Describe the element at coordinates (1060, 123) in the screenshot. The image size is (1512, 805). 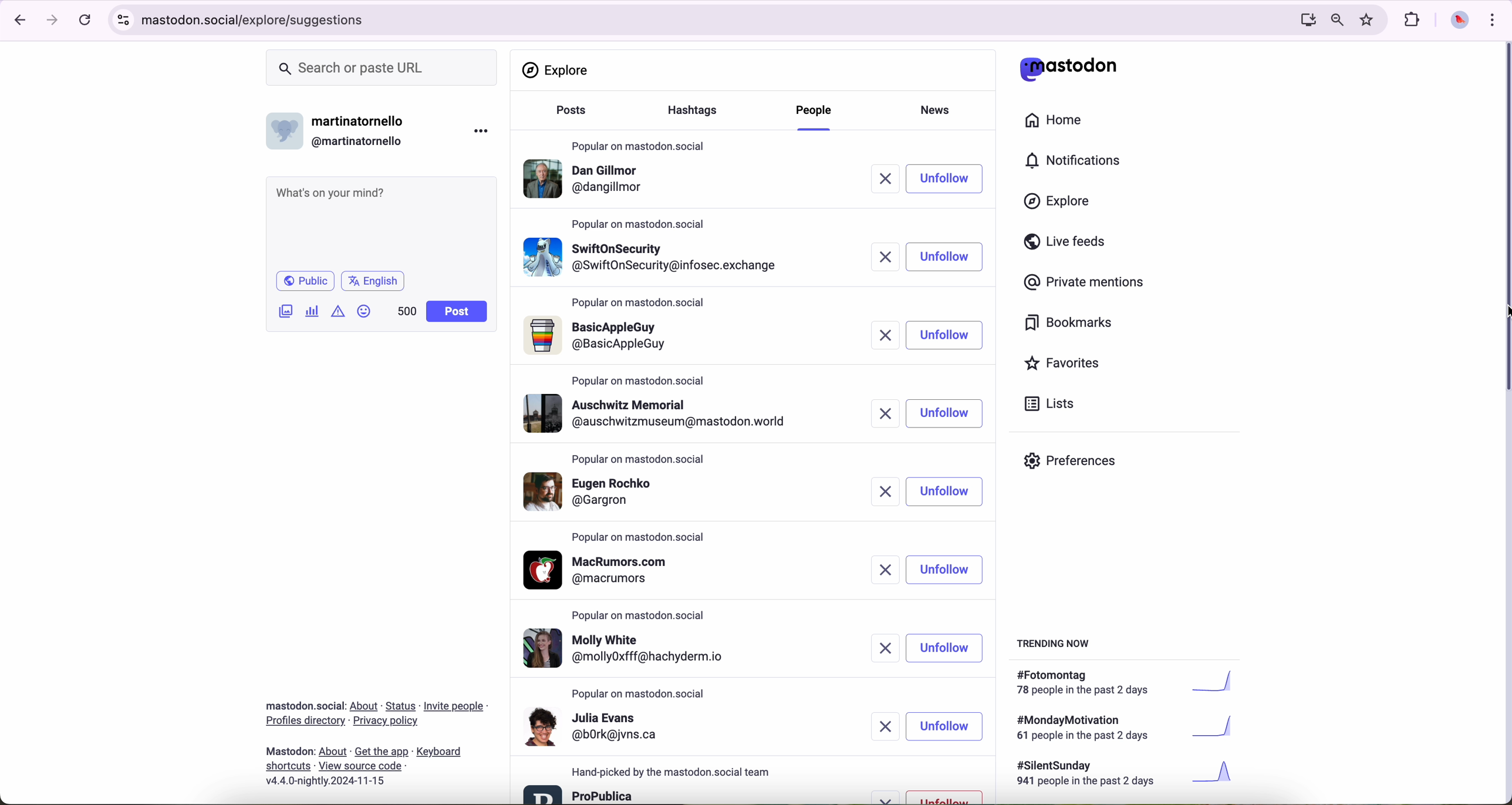
I see `home` at that location.